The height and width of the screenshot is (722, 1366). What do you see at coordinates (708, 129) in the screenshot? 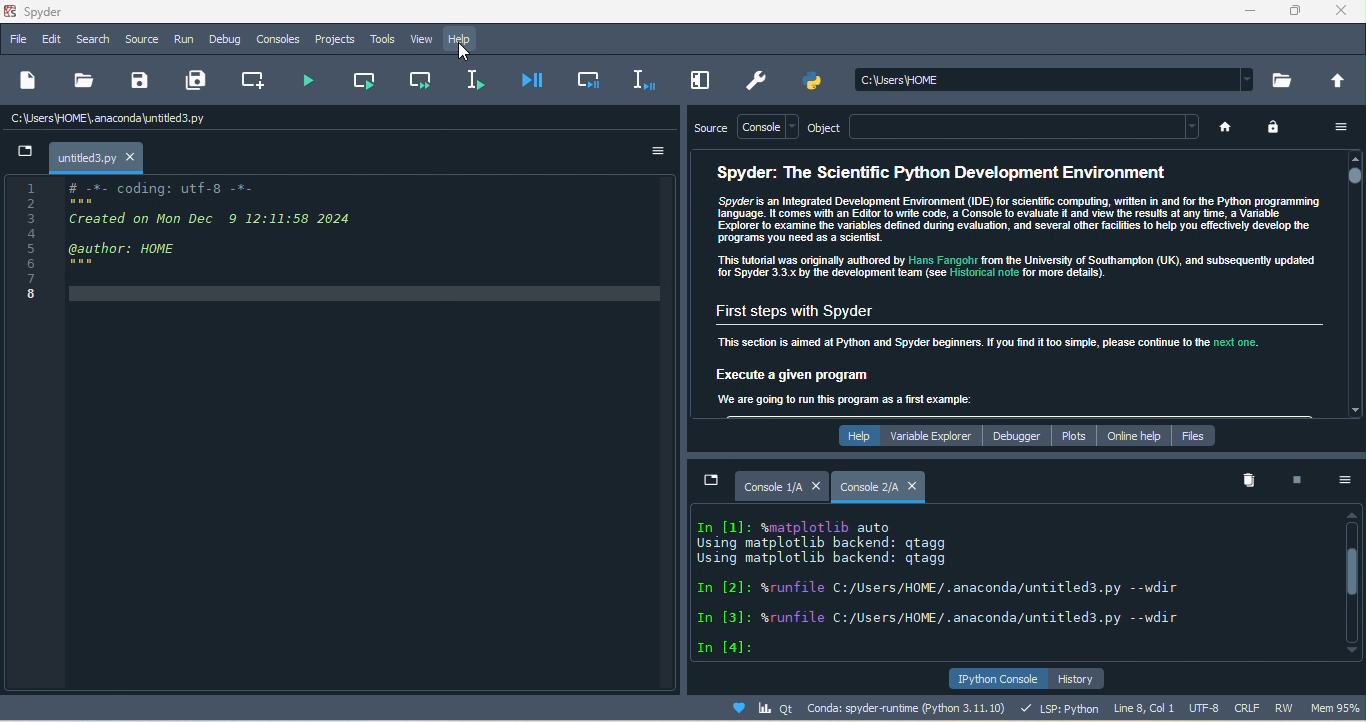
I see `source` at bounding box center [708, 129].